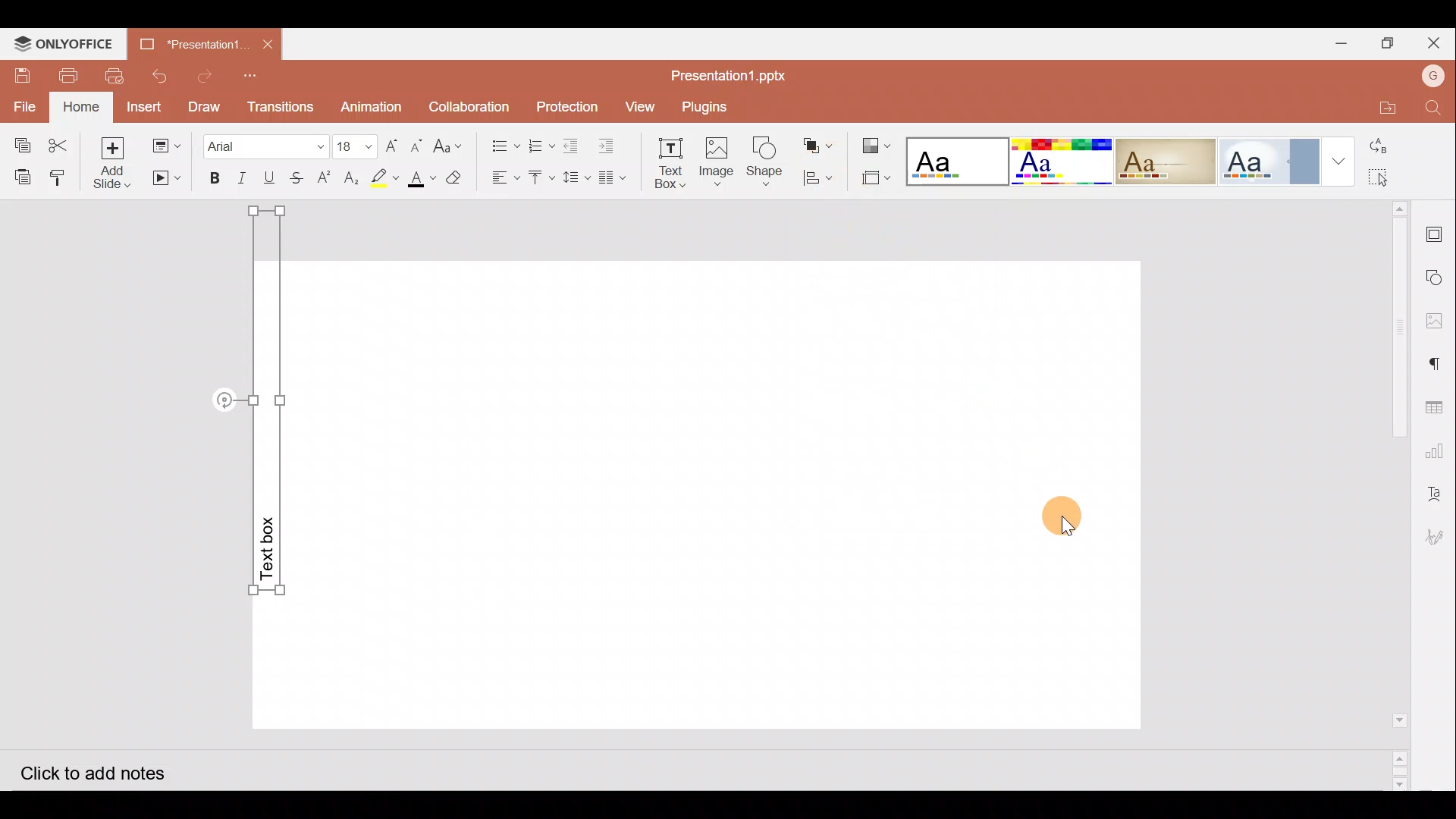 Image resolution: width=1456 pixels, height=819 pixels. I want to click on Strikethrough, so click(294, 177).